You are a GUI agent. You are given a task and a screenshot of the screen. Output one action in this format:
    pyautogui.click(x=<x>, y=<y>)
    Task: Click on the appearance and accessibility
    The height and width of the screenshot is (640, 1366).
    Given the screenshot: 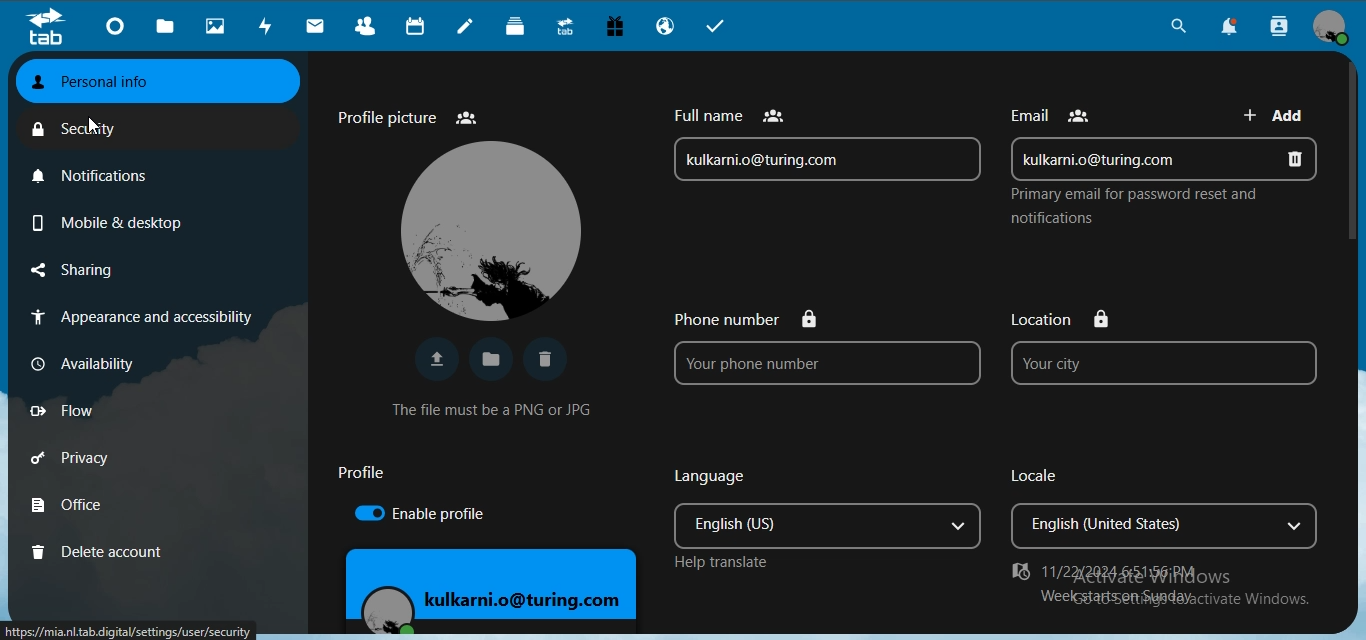 What is the action you would take?
    pyautogui.click(x=138, y=319)
    